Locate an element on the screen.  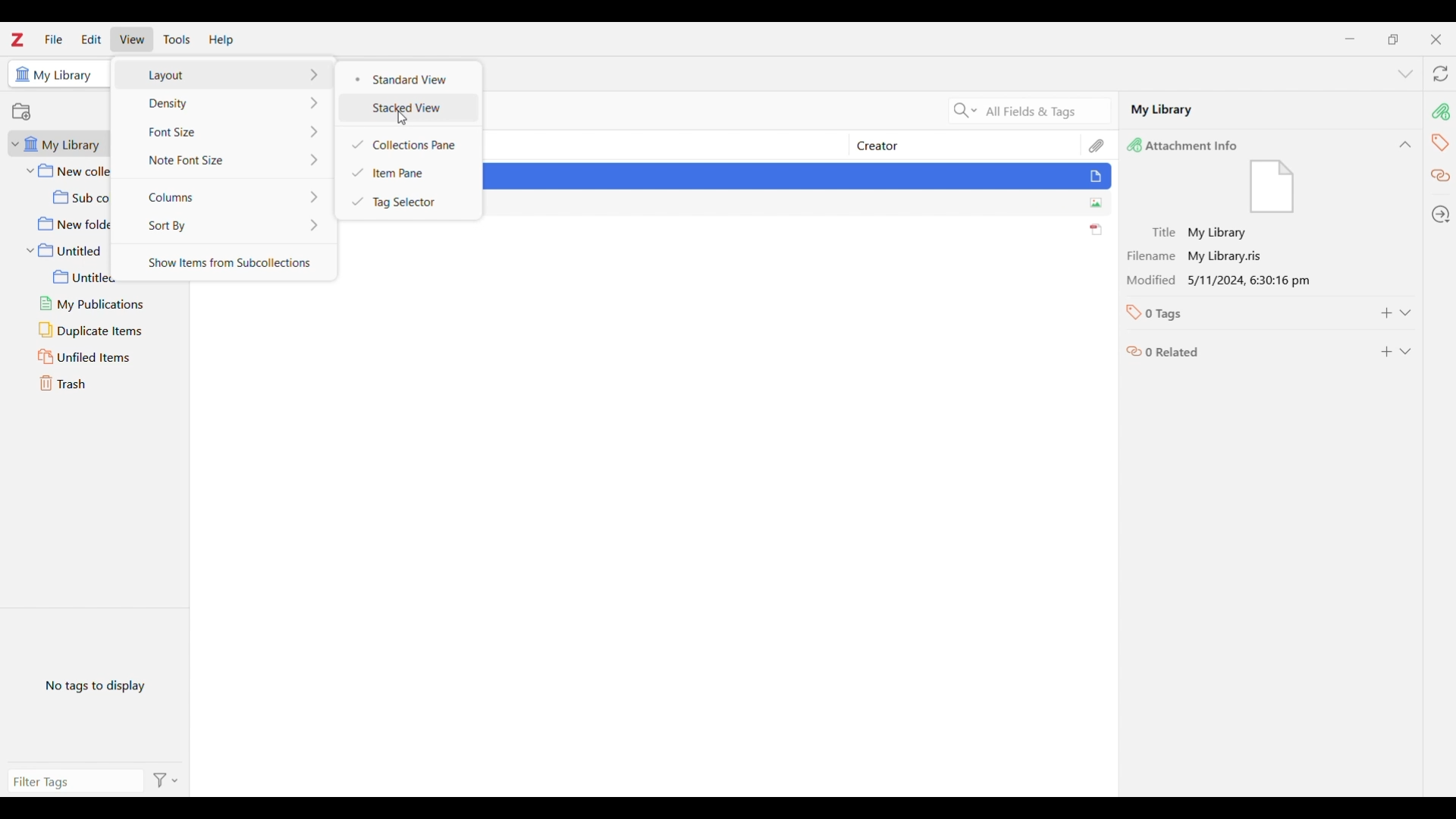
Untitled sub folder is located at coordinates (103, 277).